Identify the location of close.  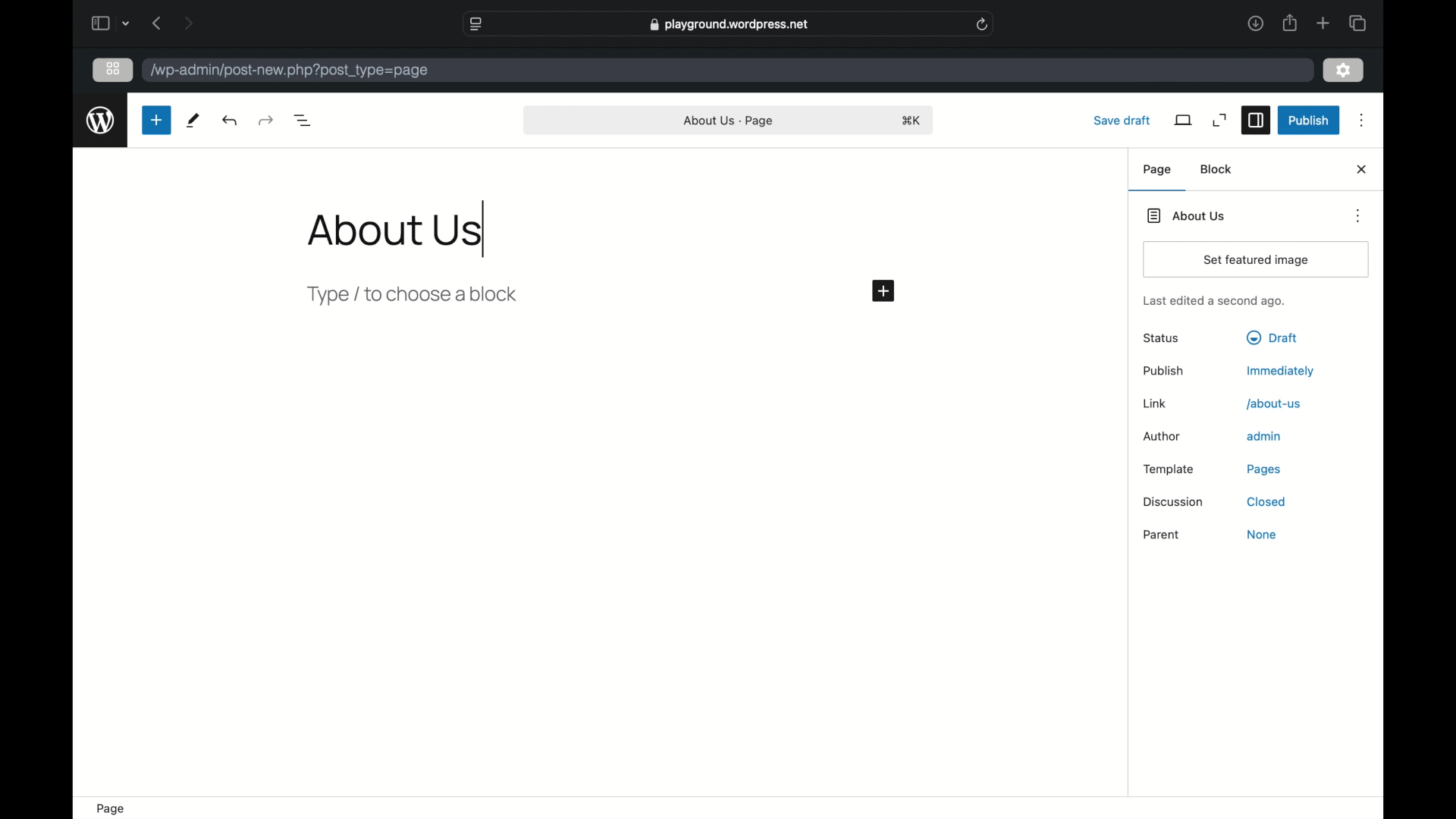
(1363, 170).